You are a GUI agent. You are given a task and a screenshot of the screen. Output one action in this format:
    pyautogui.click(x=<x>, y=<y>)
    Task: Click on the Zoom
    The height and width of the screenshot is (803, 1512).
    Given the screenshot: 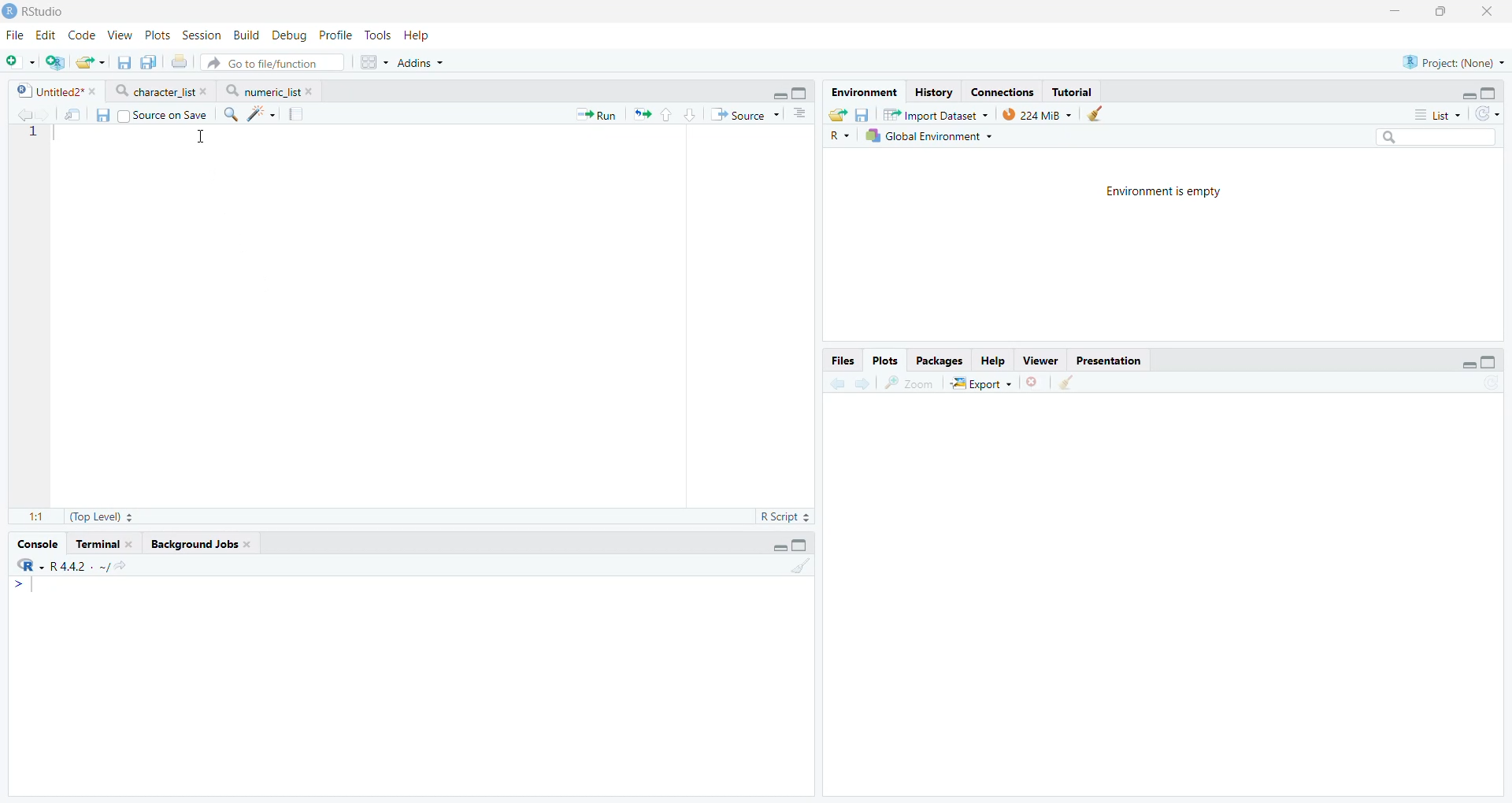 What is the action you would take?
    pyautogui.click(x=910, y=383)
    